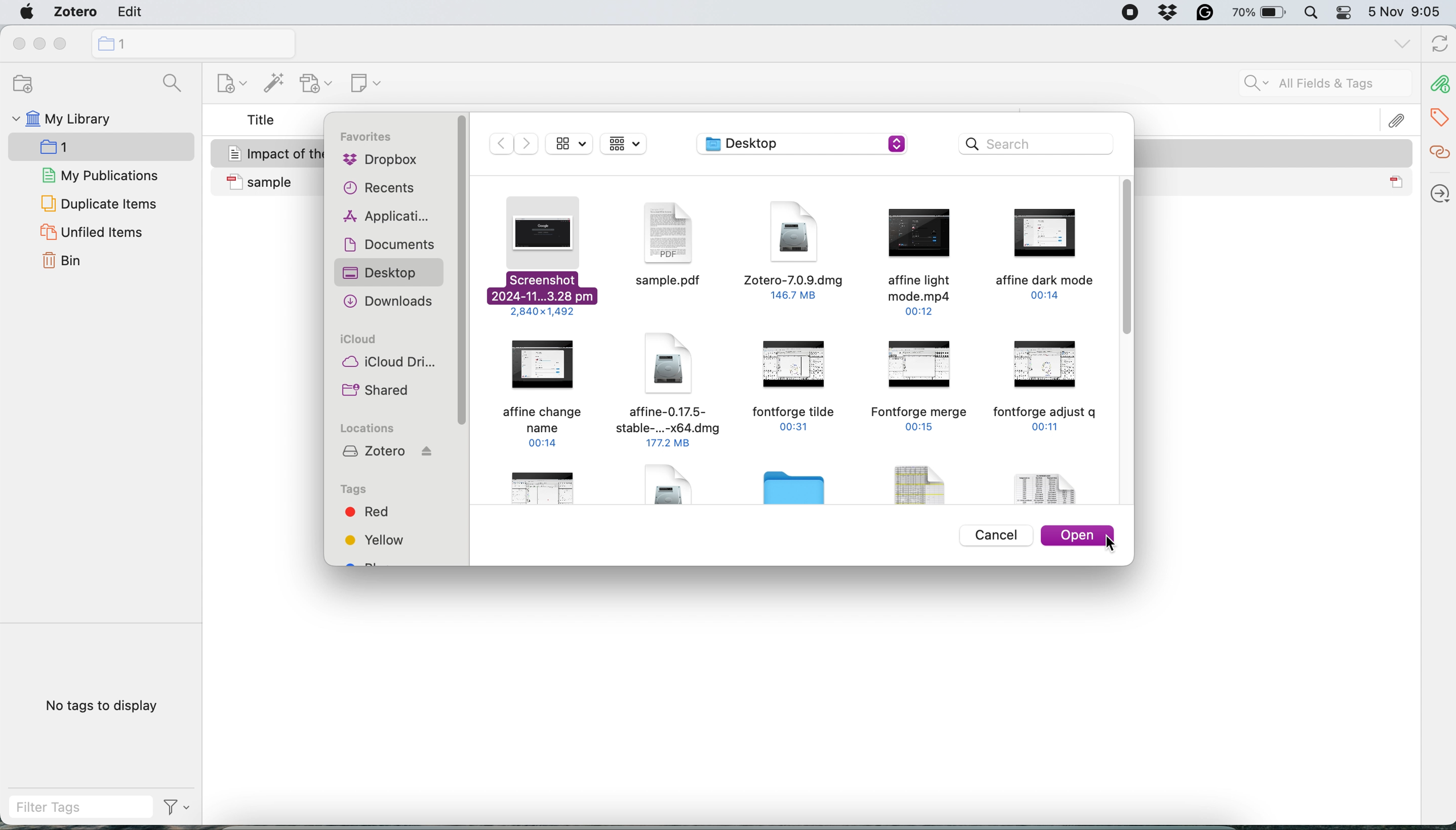 The image size is (1456, 830). I want to click on File, so click(679, 491).